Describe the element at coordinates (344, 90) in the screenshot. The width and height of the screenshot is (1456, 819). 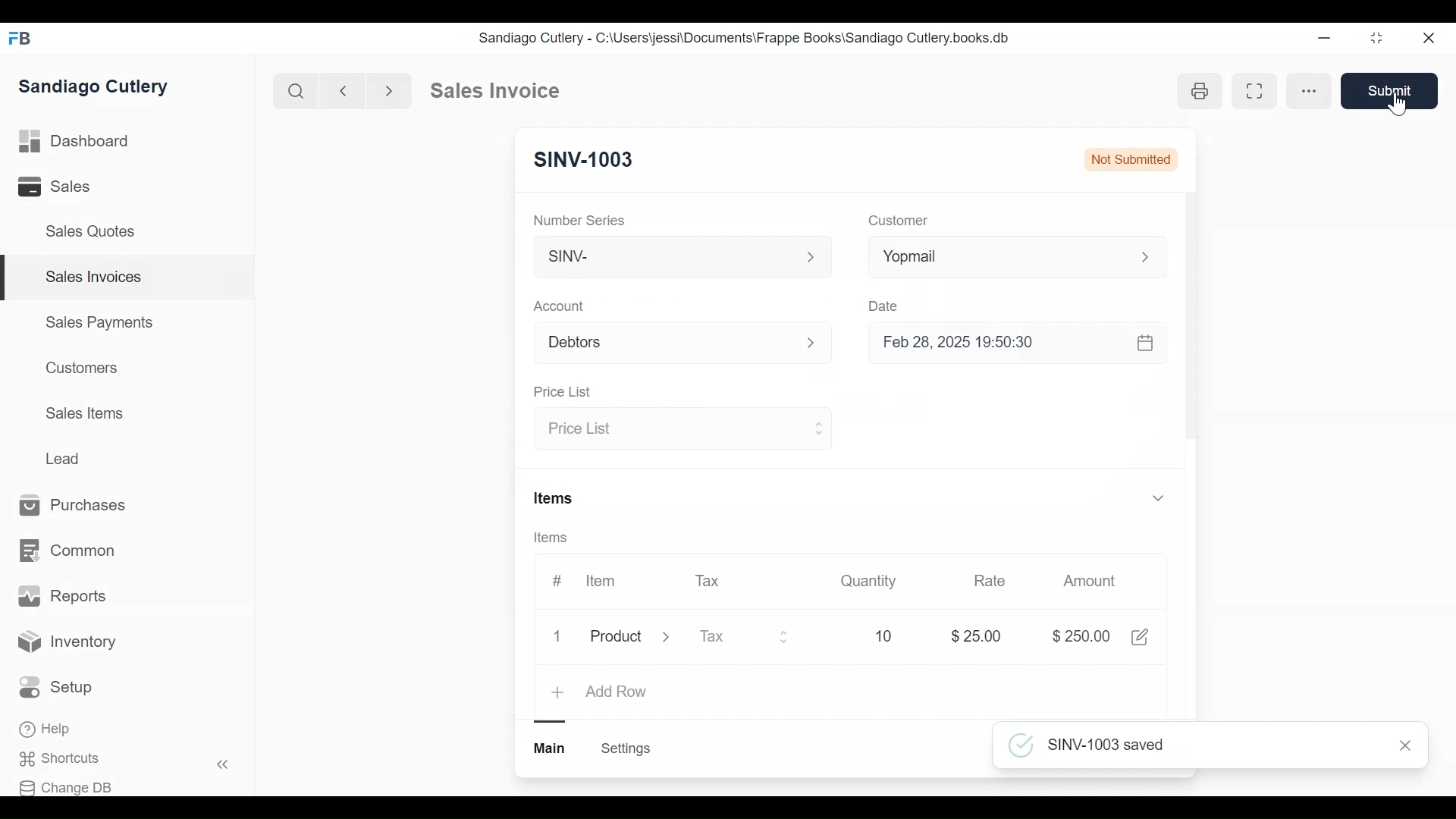
I see `backward` at that location.